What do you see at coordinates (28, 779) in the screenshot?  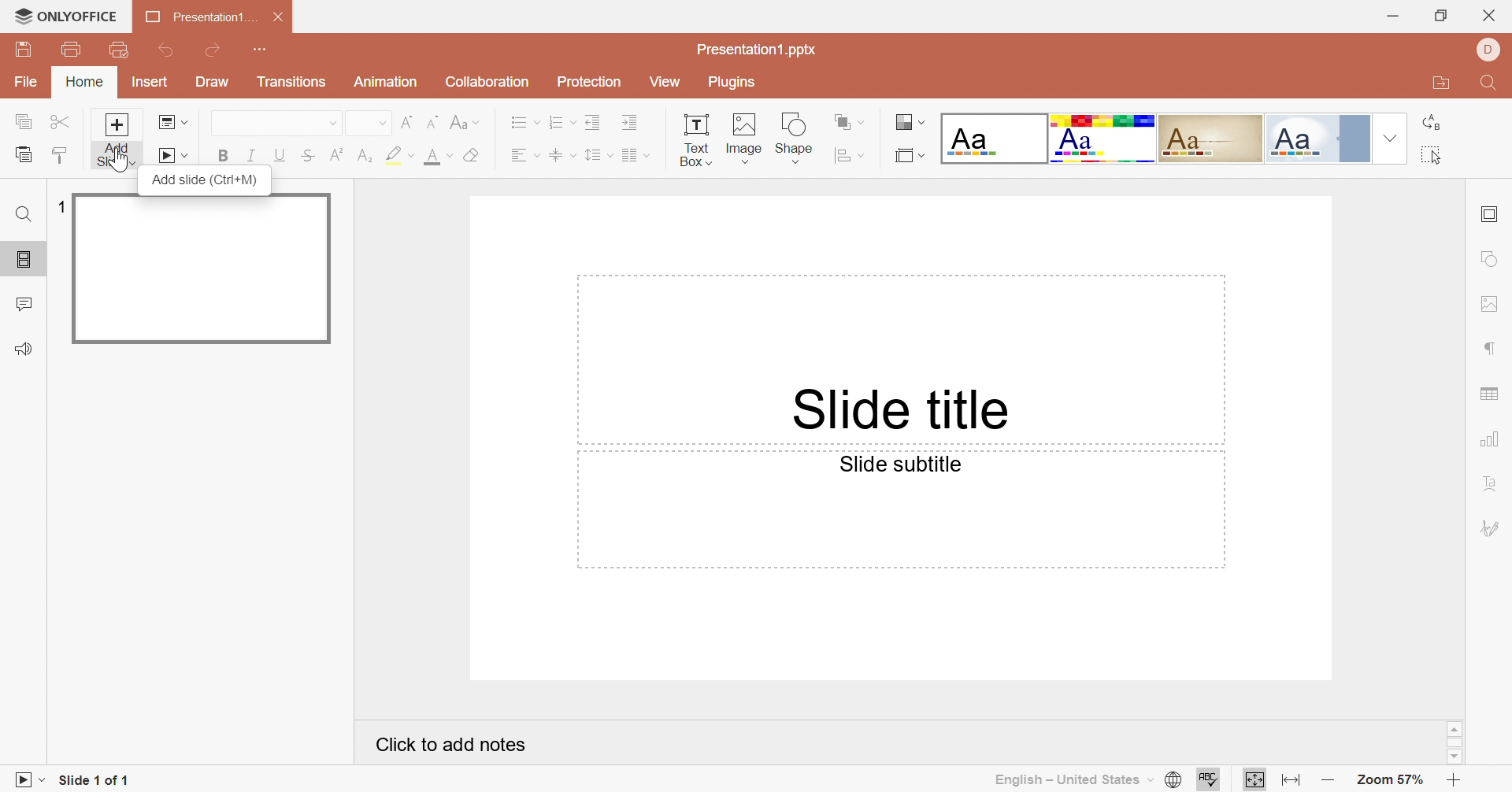 I see `Start slideshow` at bounding box center [28, 779].